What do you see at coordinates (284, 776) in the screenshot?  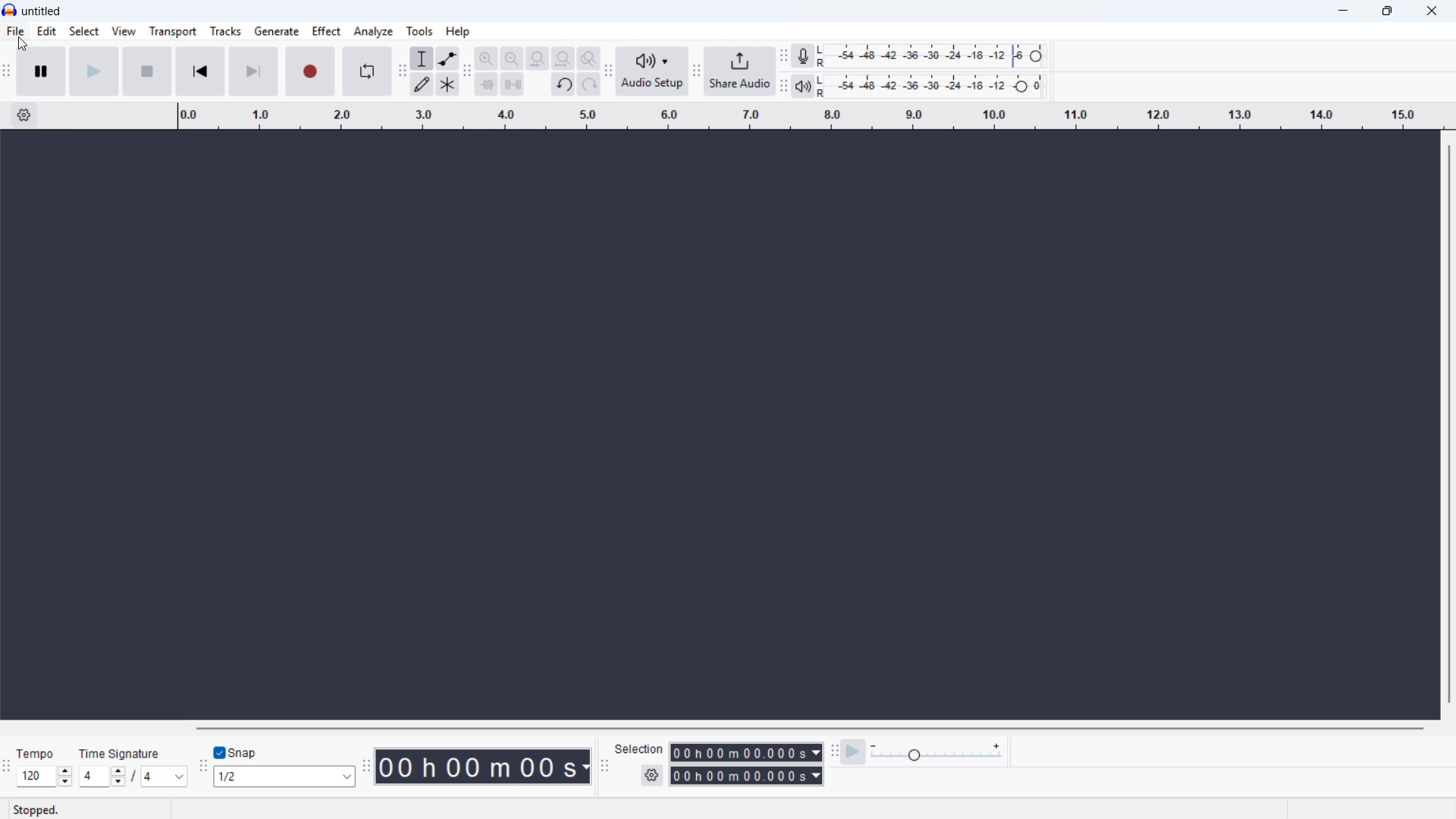 I see `Set snapping ` at bounding box center [284, 776].